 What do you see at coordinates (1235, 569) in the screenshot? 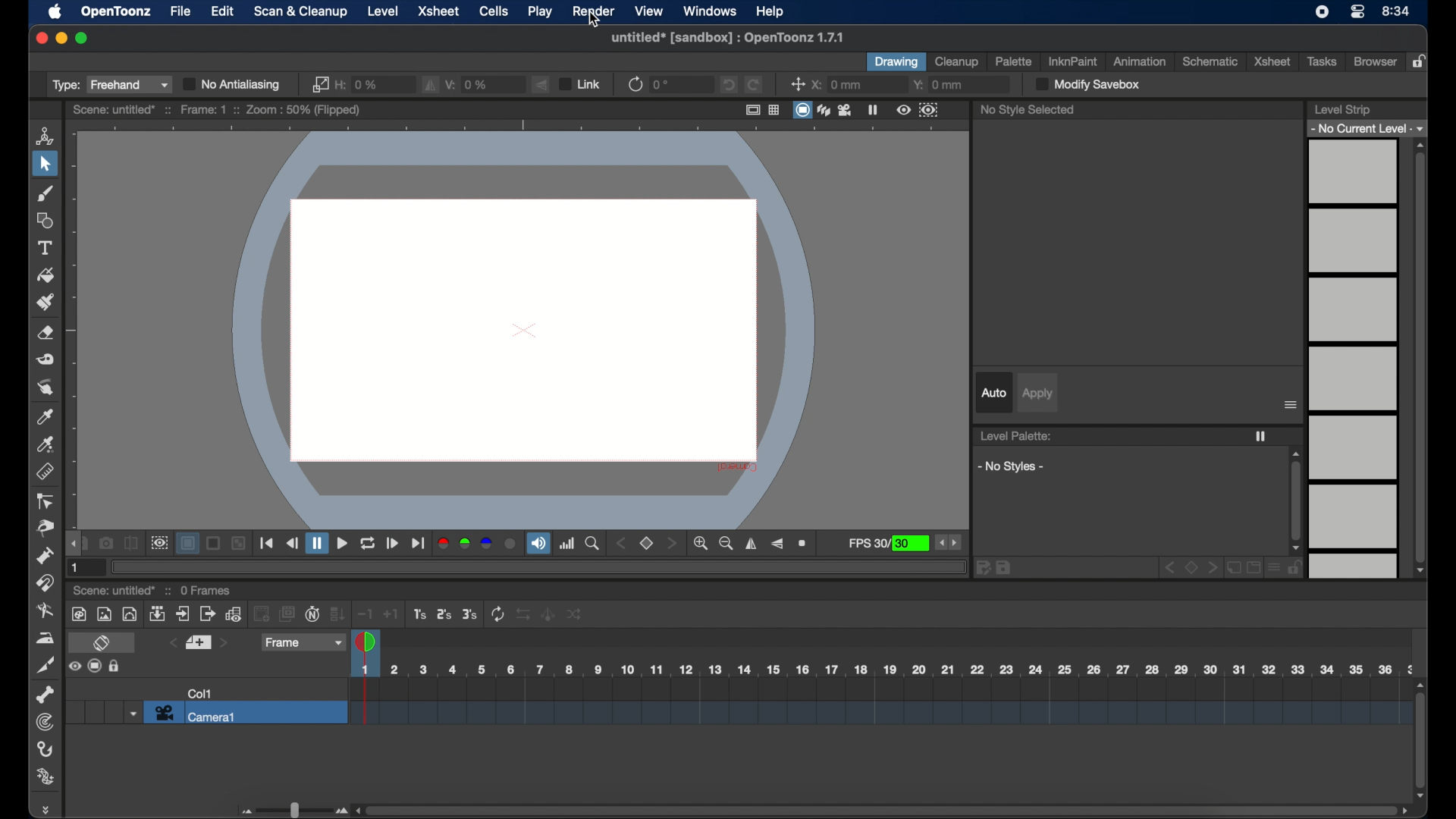
I see `` at bounding box center [1235, 569].